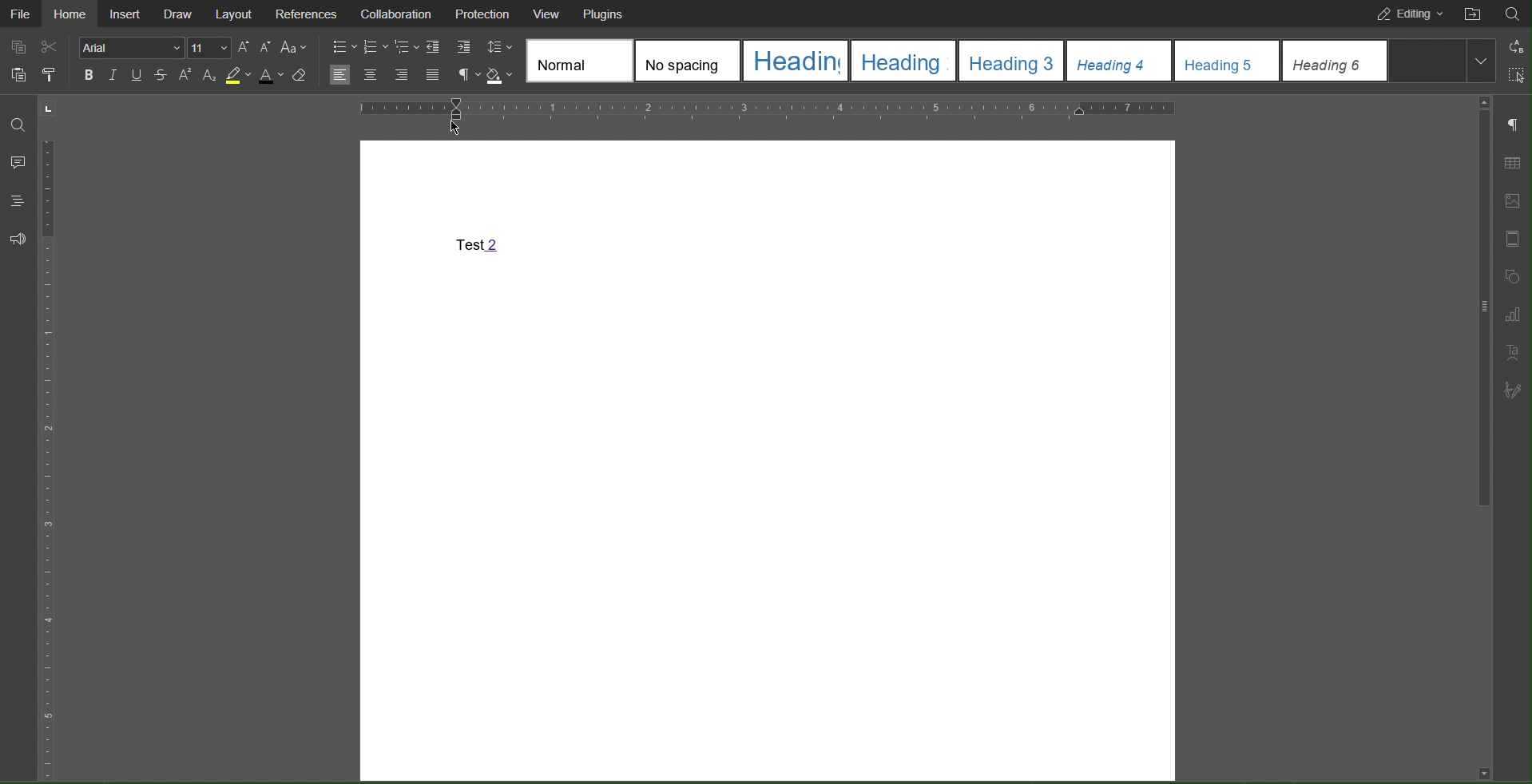 The height and width of the screenshot is (784, 1532). What do you see at coordinates (502, 74) in the screenshot?
I see `Fill Color` at bounding box center [502, 74].